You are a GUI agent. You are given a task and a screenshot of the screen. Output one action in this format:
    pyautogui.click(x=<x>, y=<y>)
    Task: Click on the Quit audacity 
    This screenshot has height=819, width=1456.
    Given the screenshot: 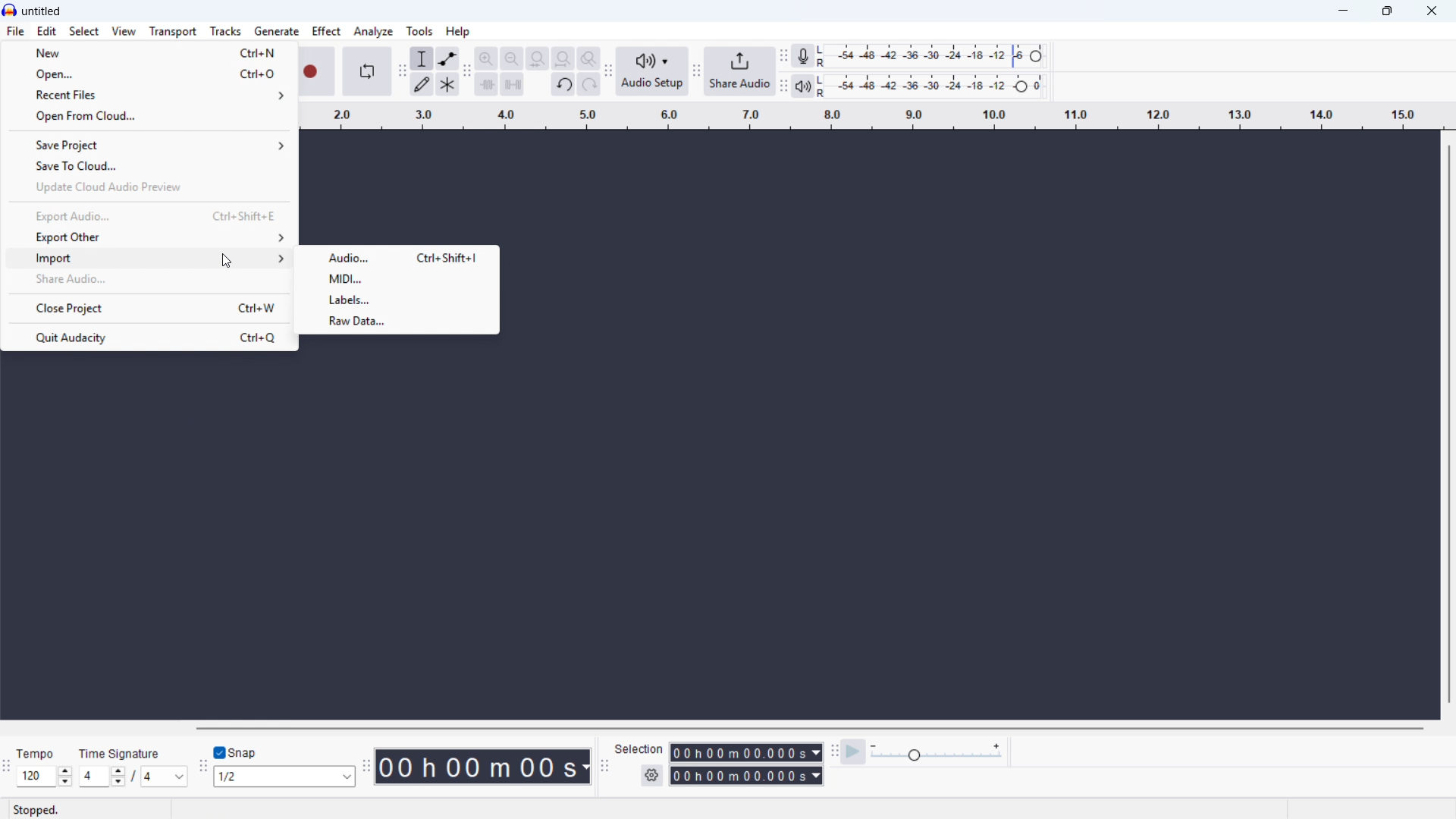 What is the action you would take?
    pyautogui.click(x=147, y=338)
    